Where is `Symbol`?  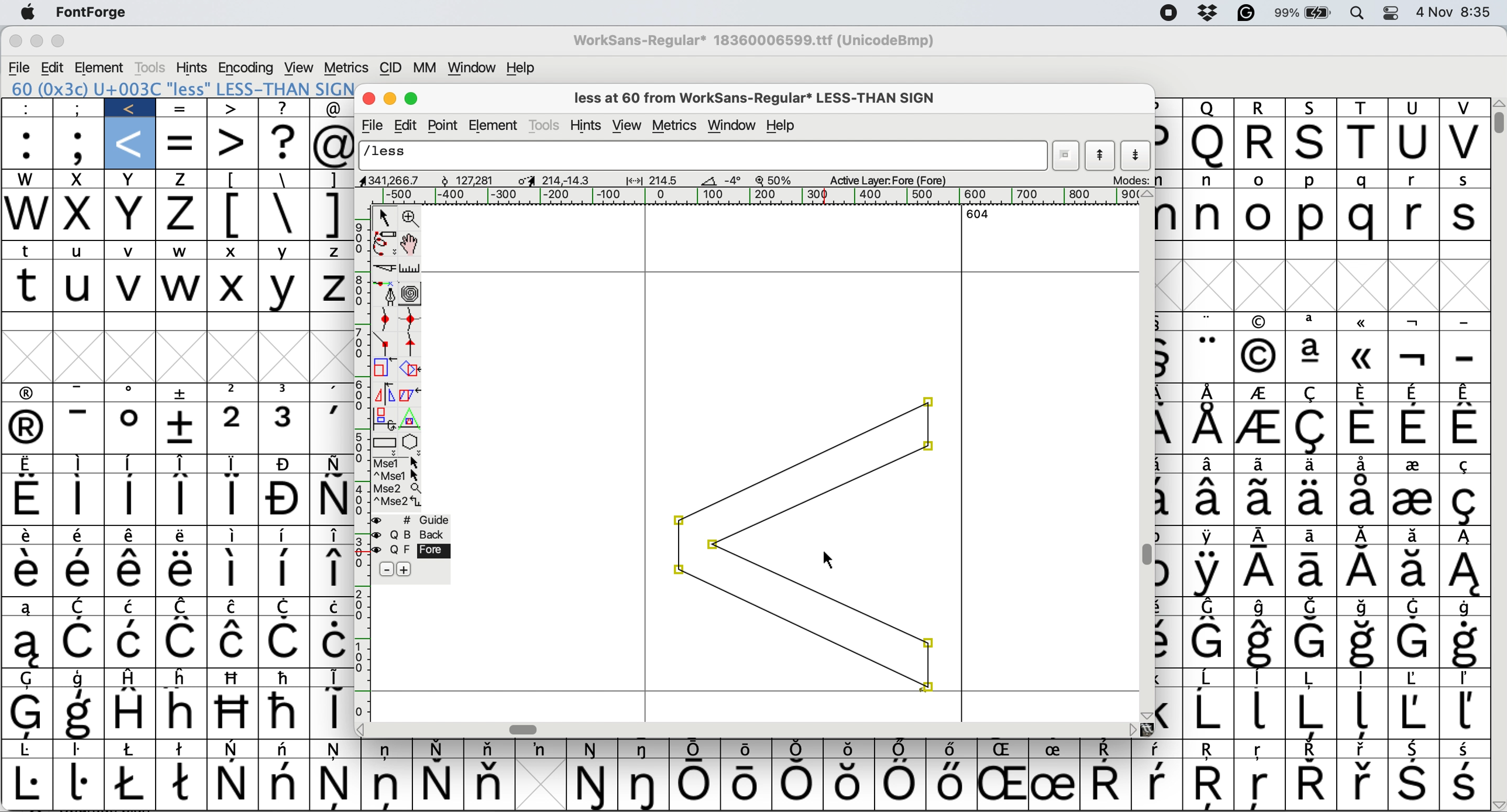 Symbol is located at coordinates (29, 679).